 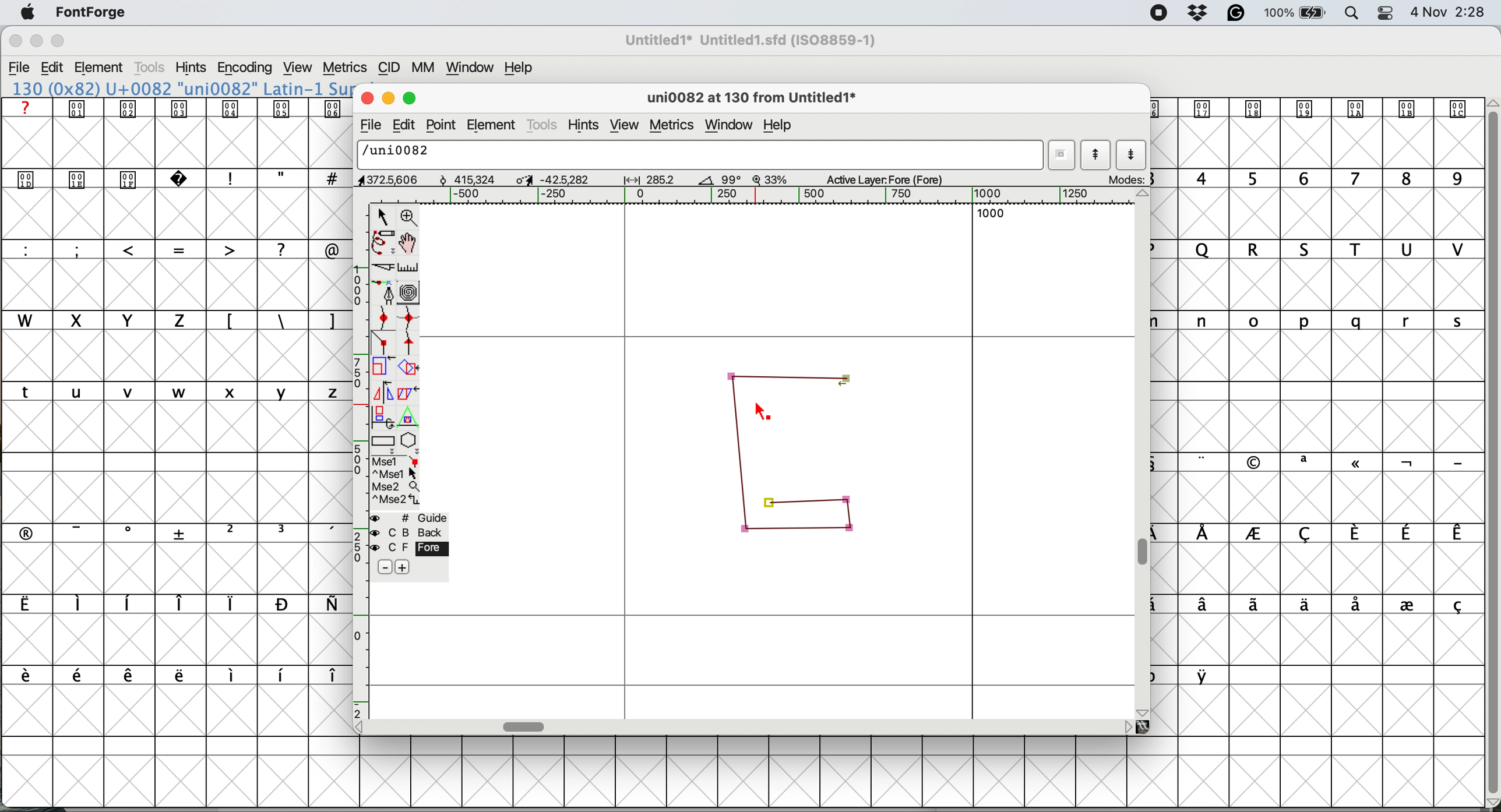 What do you see at coordinates (410, 243) in the screenshot?
I see `scroll by hand` at bounding box center [410, 243].